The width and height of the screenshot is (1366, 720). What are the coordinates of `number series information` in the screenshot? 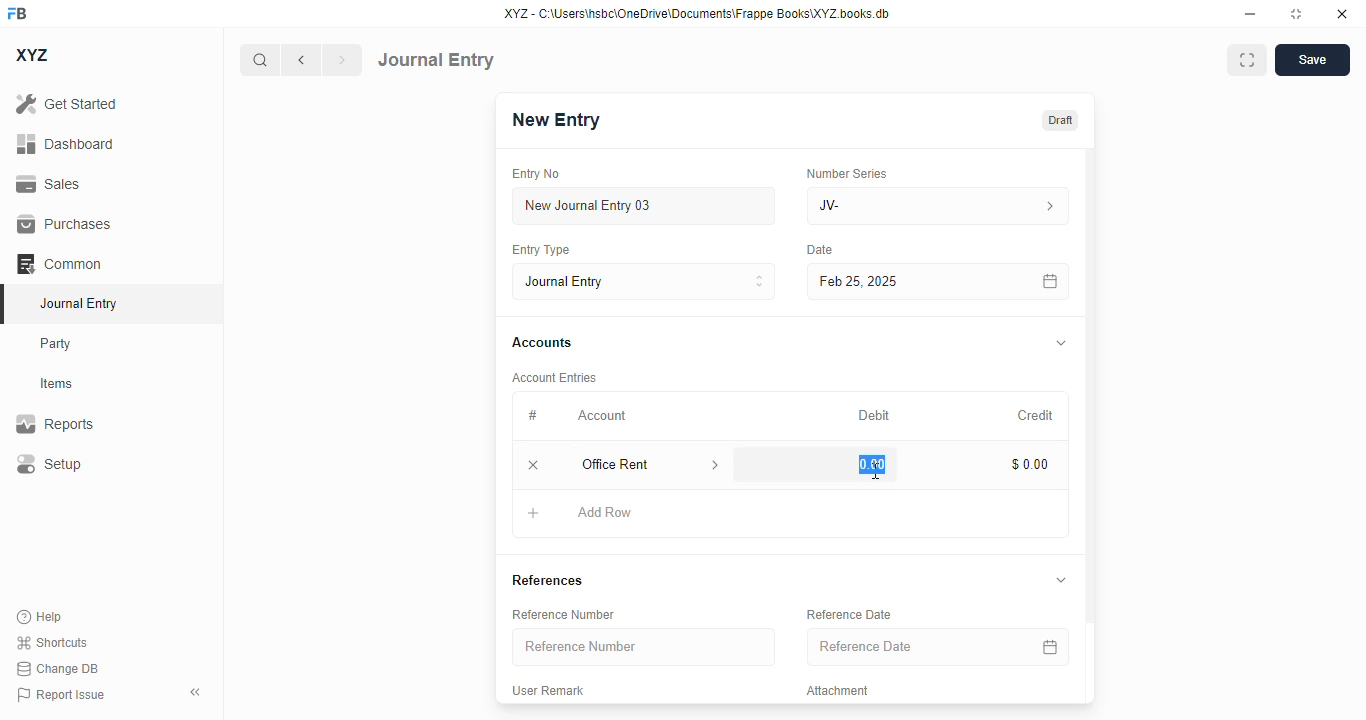 It's located at (1048, 207).